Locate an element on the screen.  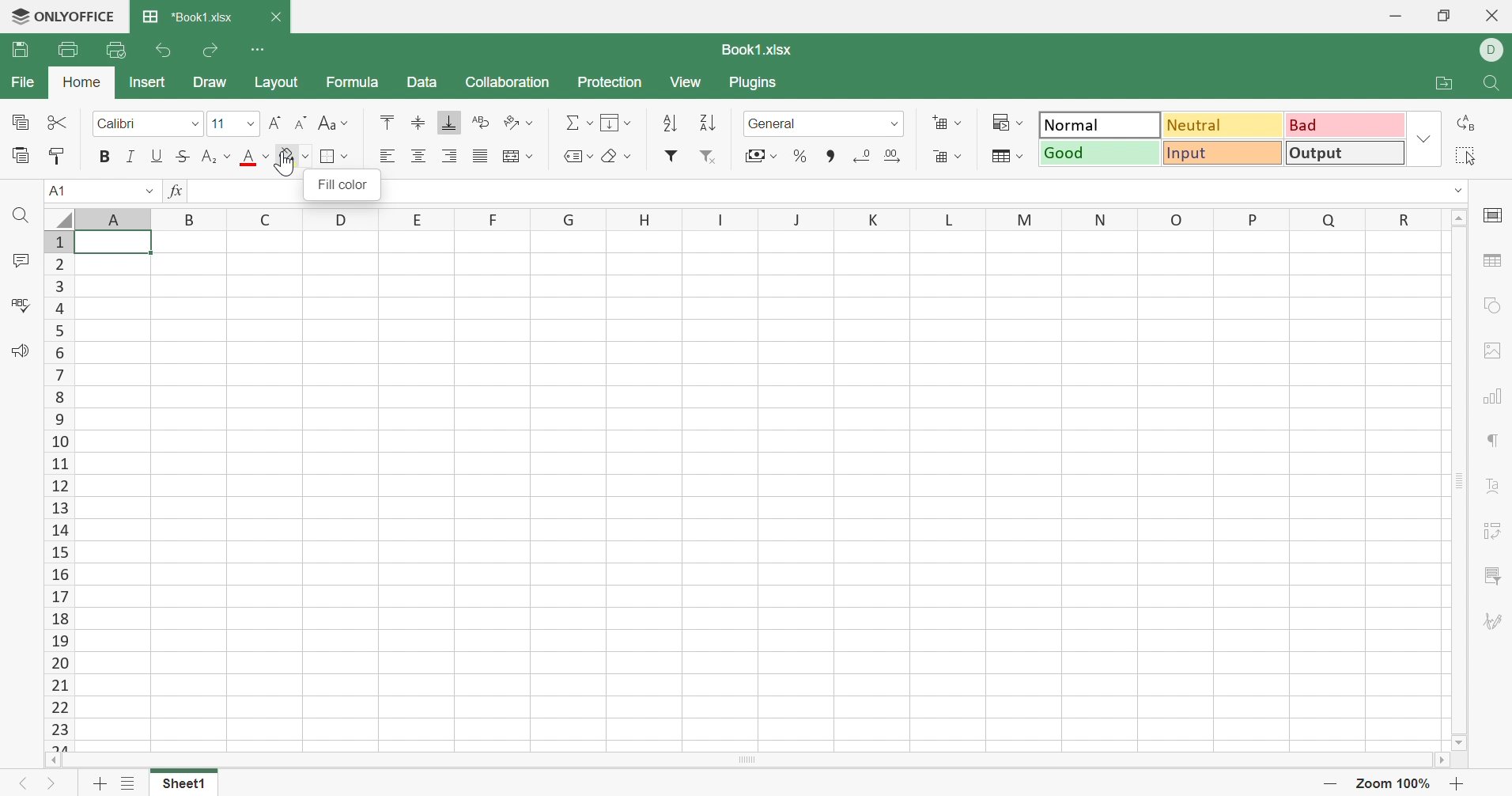
Paste is located at coordinates (21, 152).